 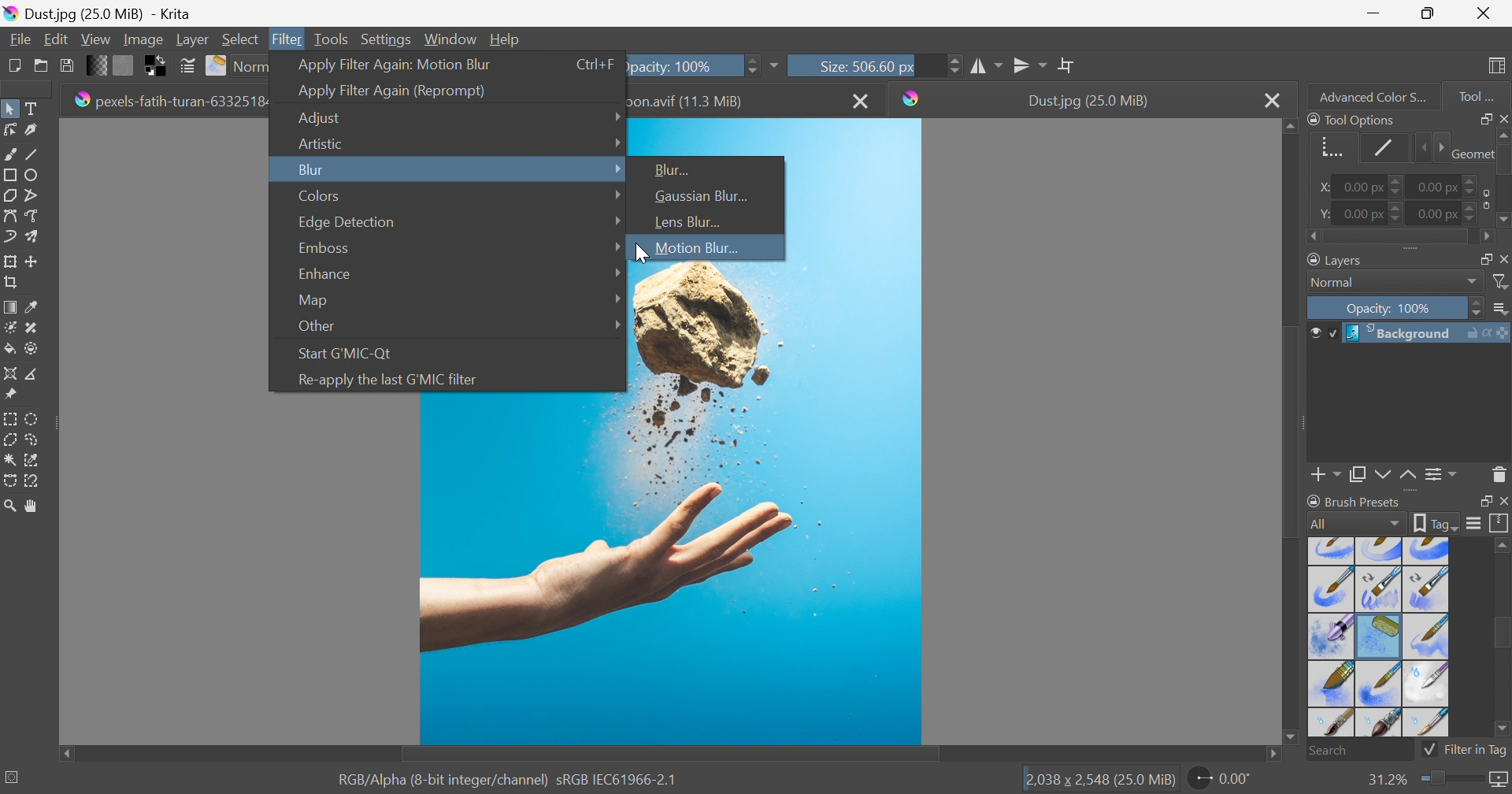 I want to click on Background Layer, so click(x=1426, y=333).